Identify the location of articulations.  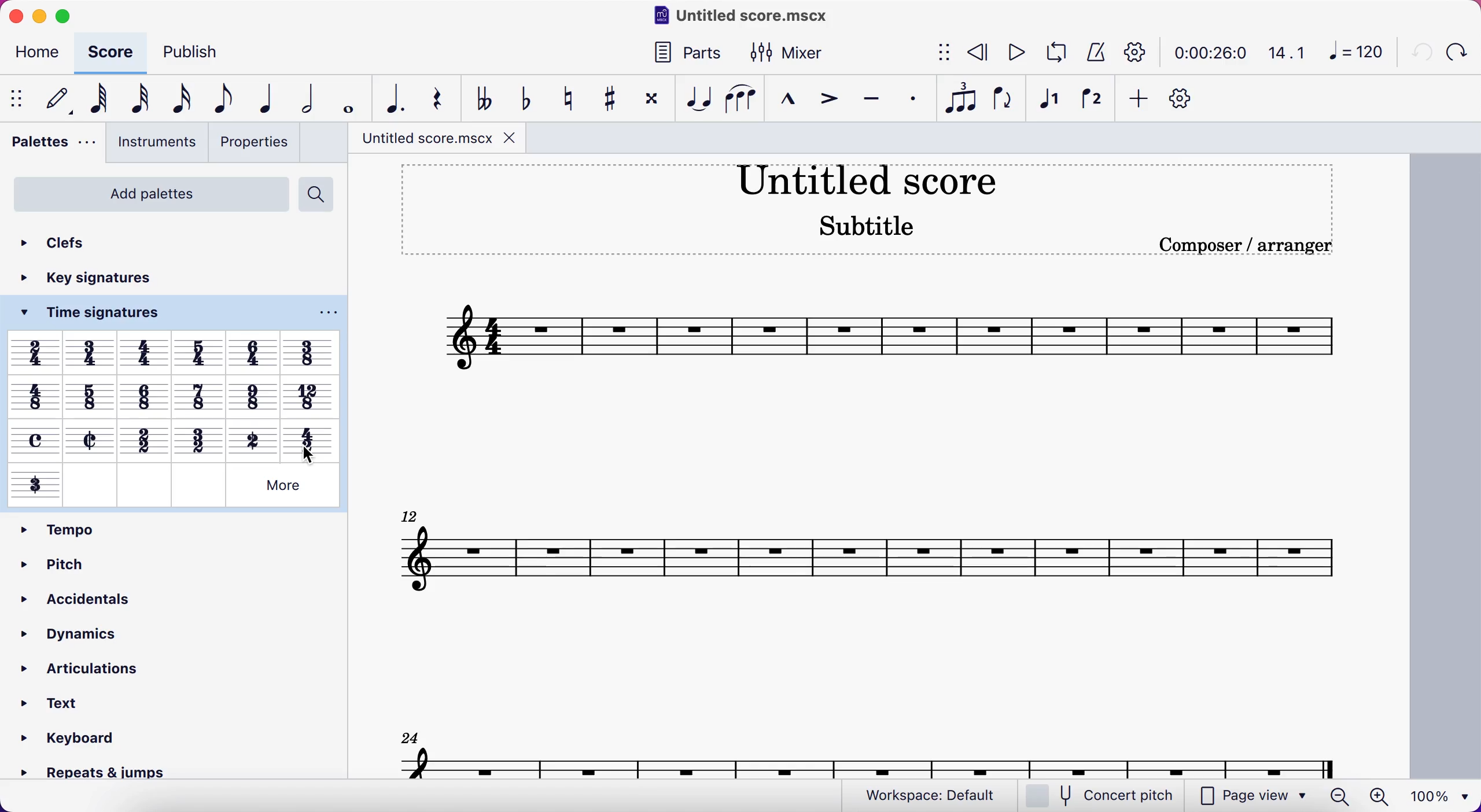
(98, 668).